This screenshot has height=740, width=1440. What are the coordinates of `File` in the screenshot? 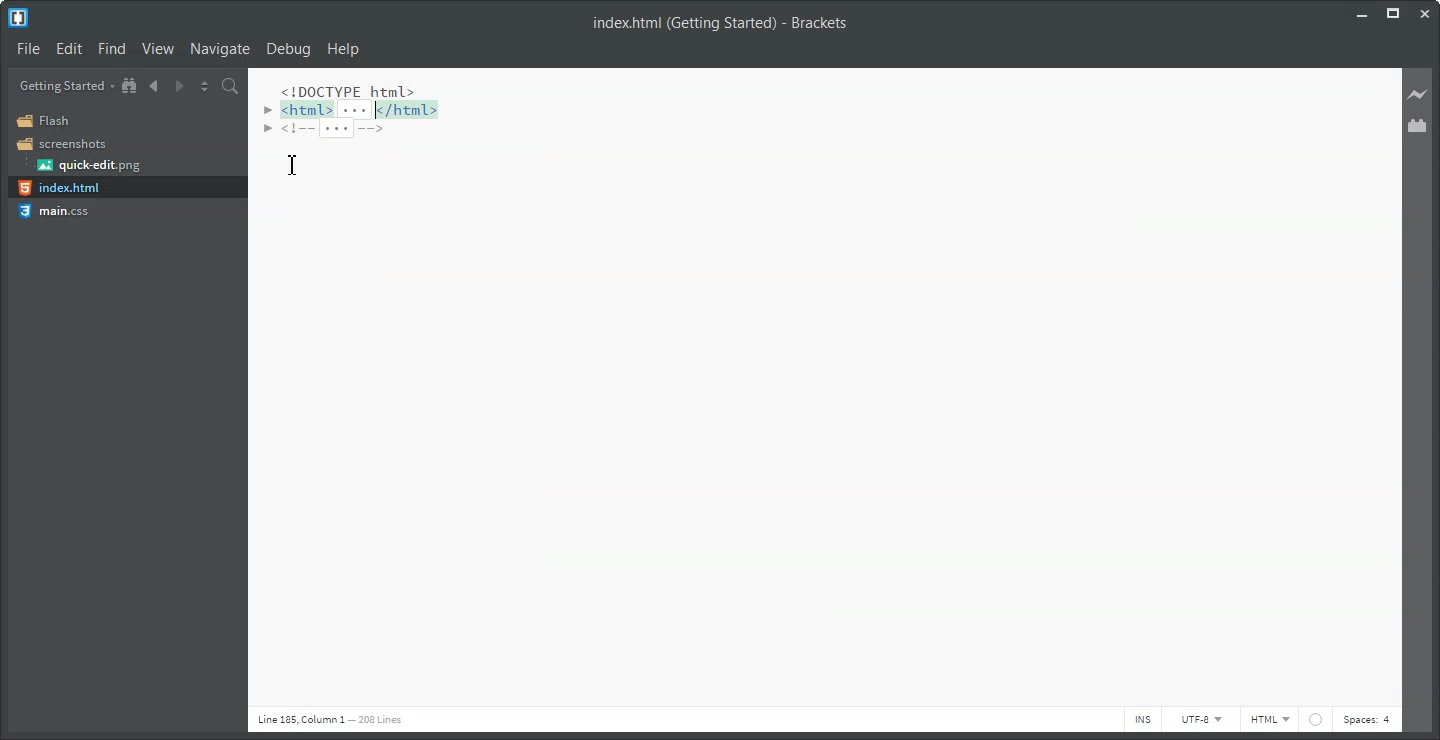 It's located at (28, 49).